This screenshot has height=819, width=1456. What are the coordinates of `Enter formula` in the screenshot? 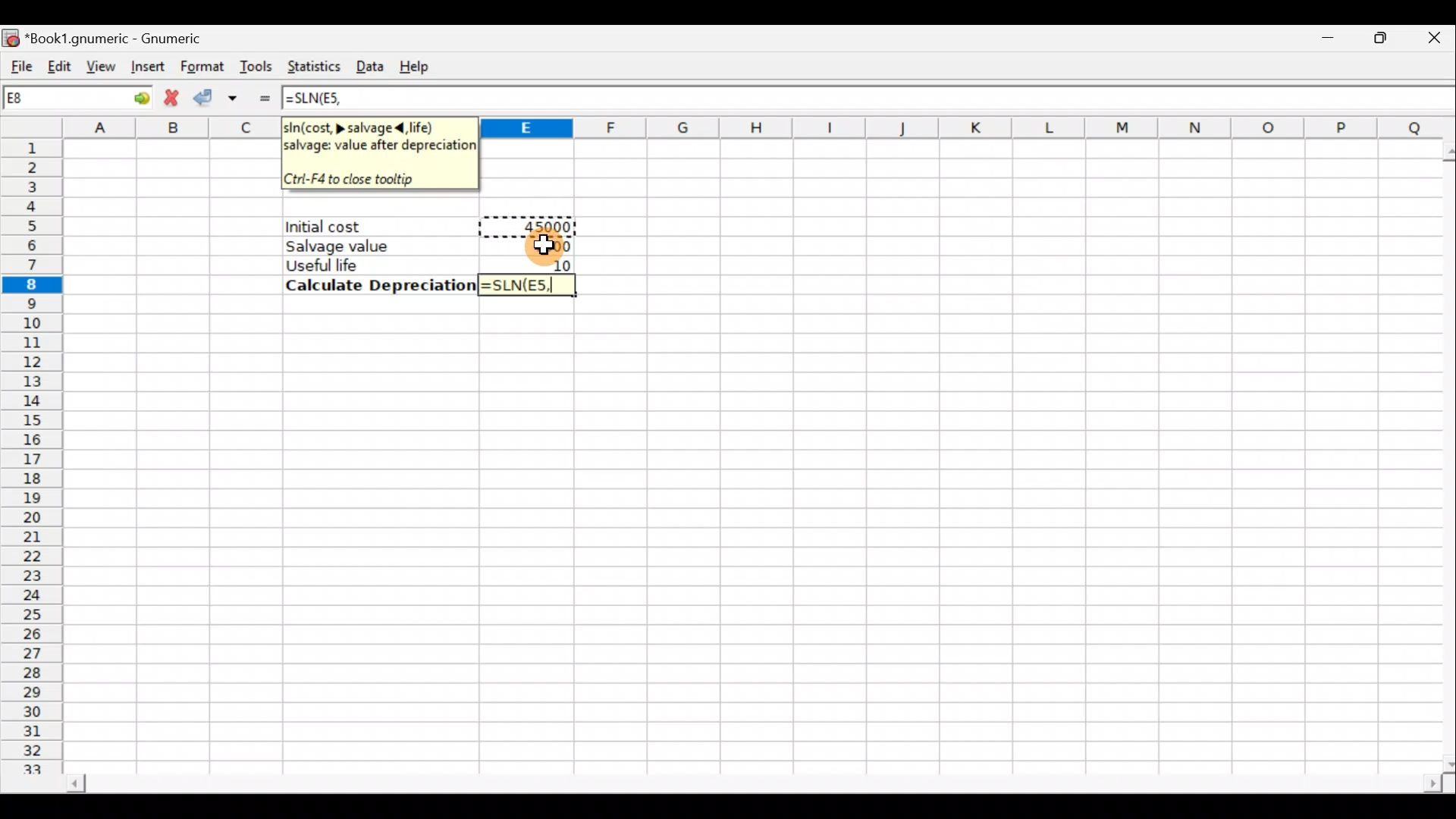 It's located at (264, 97).